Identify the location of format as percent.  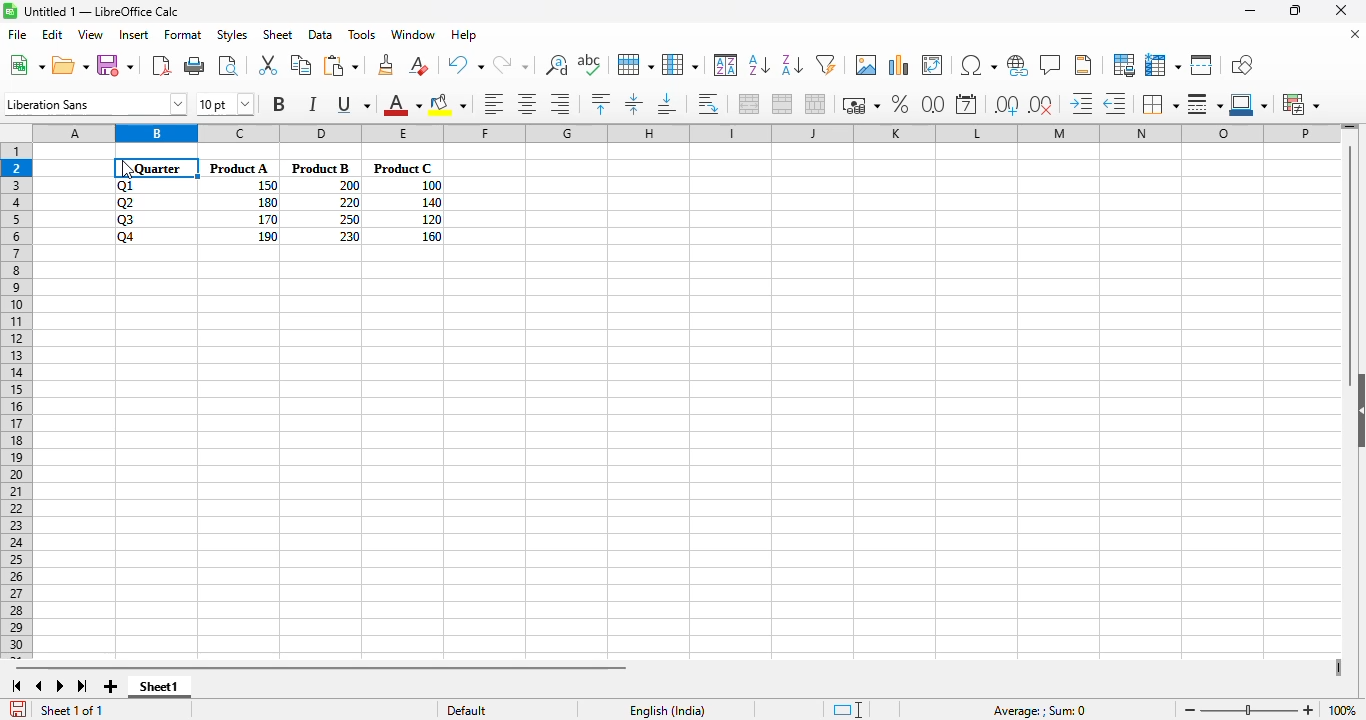
(899, 103).